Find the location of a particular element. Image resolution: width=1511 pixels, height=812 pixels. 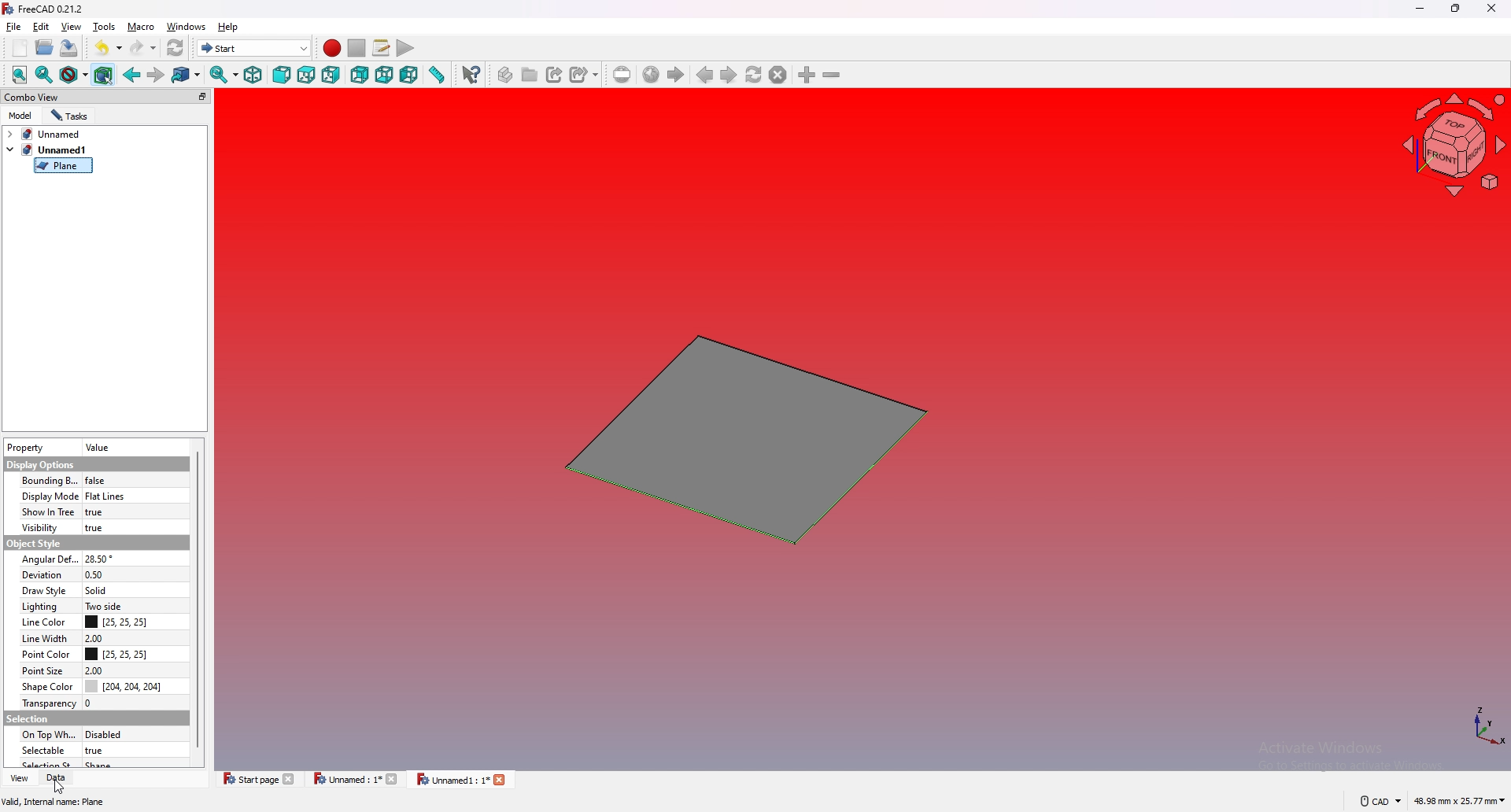

data is located at coordinates (59, 778).